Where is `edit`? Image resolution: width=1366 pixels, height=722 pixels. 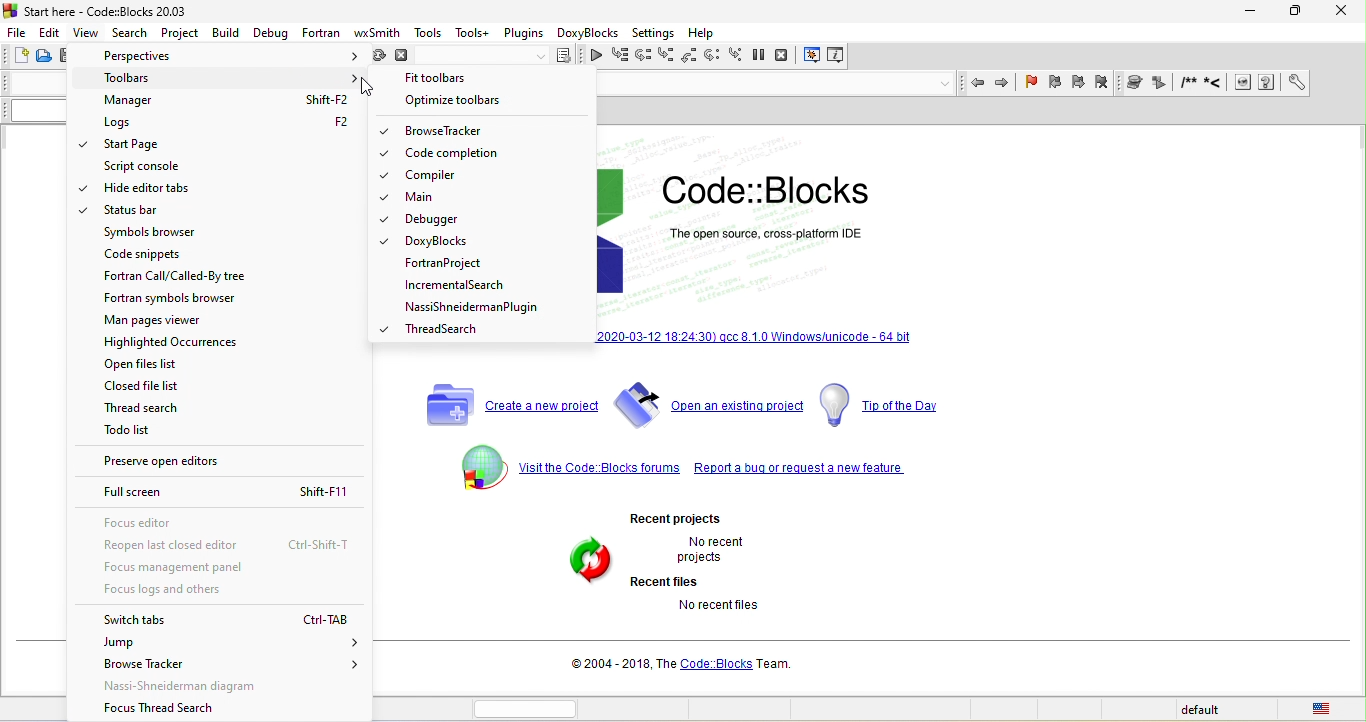 edit is located at coordinates (51, 31).